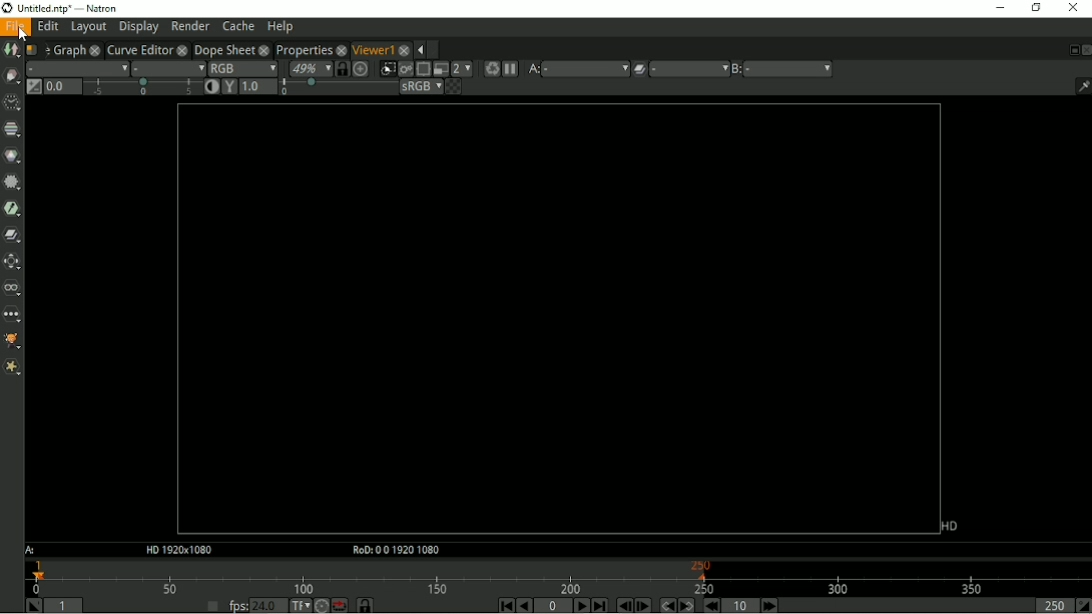 Image resolution: width=1092 pixels, height=614 pixels. I want to click on Current frame, so click(554, 606).